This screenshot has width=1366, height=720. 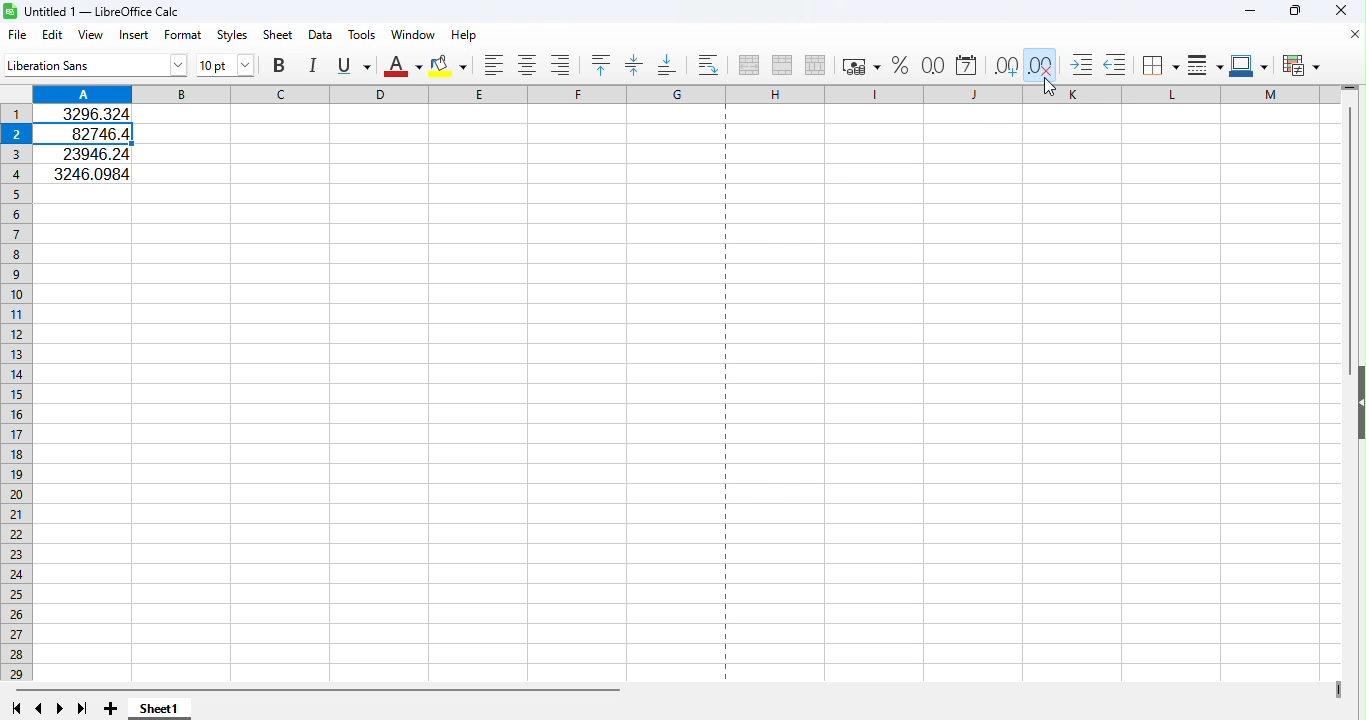 I want to click on Scroll to last sheet, so click(x=83, y=709).